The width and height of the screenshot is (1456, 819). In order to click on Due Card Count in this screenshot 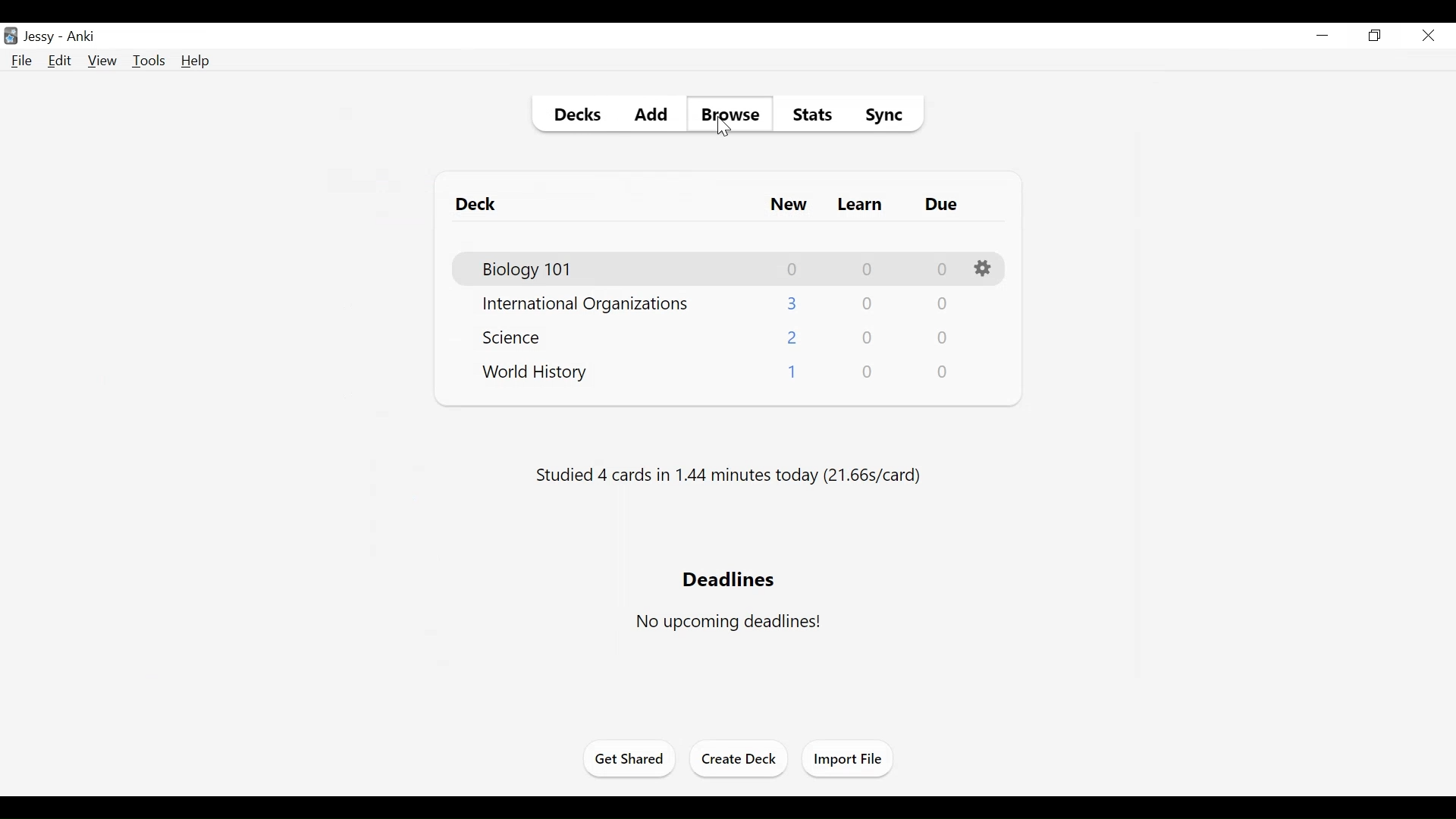, I will do `click(941, 268)`.